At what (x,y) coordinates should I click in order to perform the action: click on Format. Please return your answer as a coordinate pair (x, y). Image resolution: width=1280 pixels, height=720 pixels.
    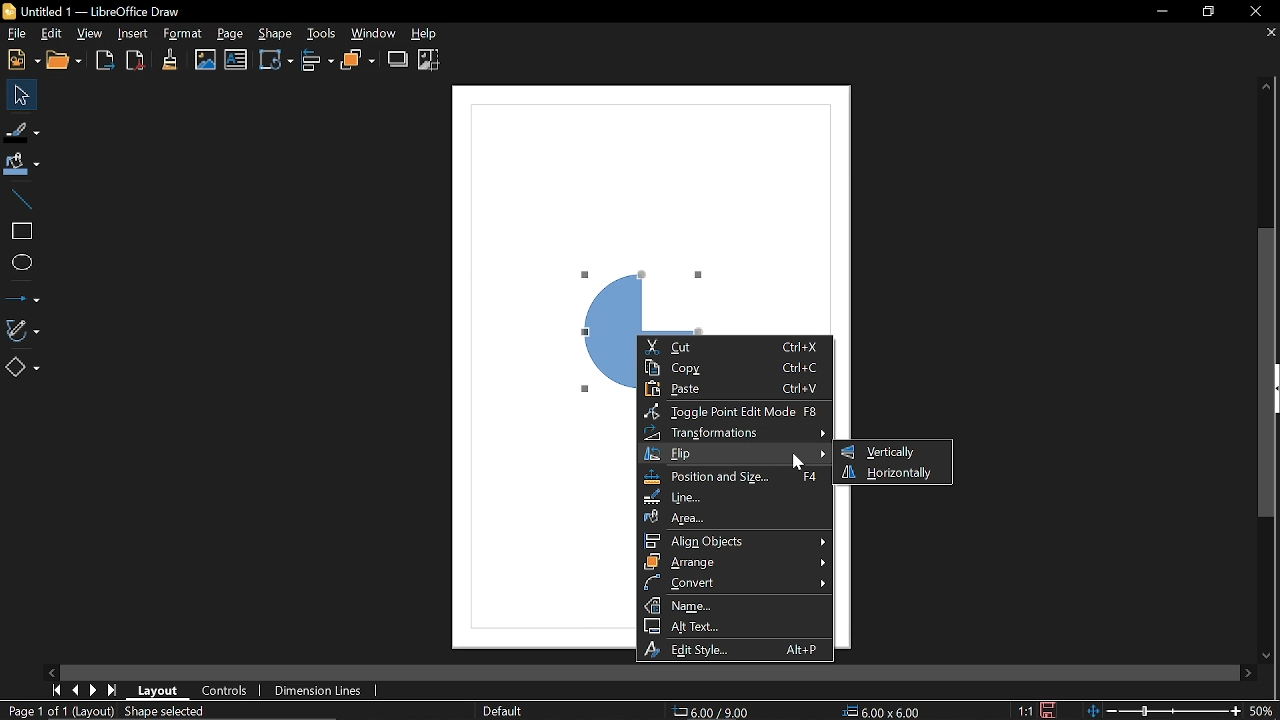
    Looking at the image, I should click on (179, 35).